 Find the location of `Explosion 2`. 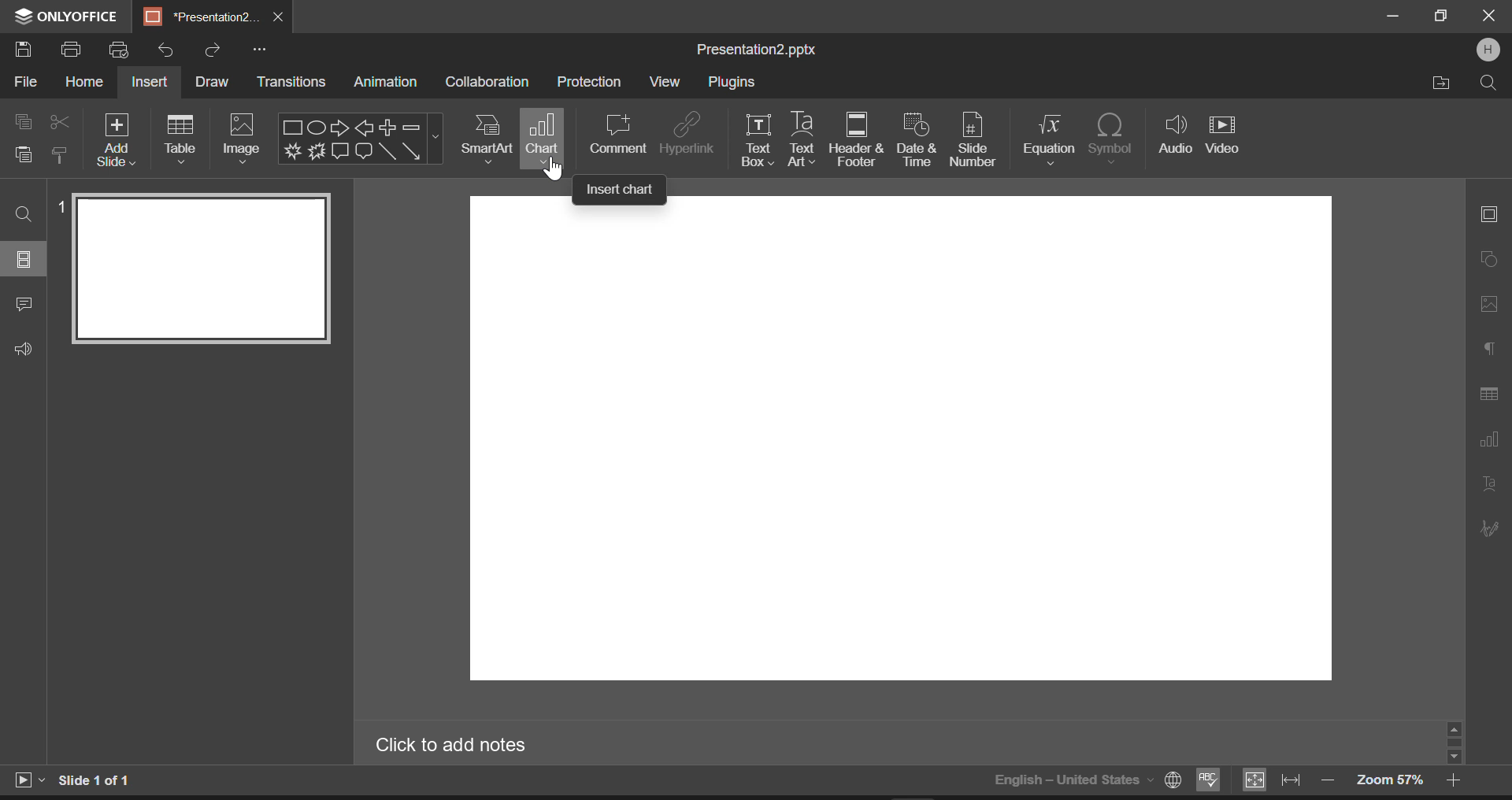

Explosion 2 is located at coordinates (316, 151).